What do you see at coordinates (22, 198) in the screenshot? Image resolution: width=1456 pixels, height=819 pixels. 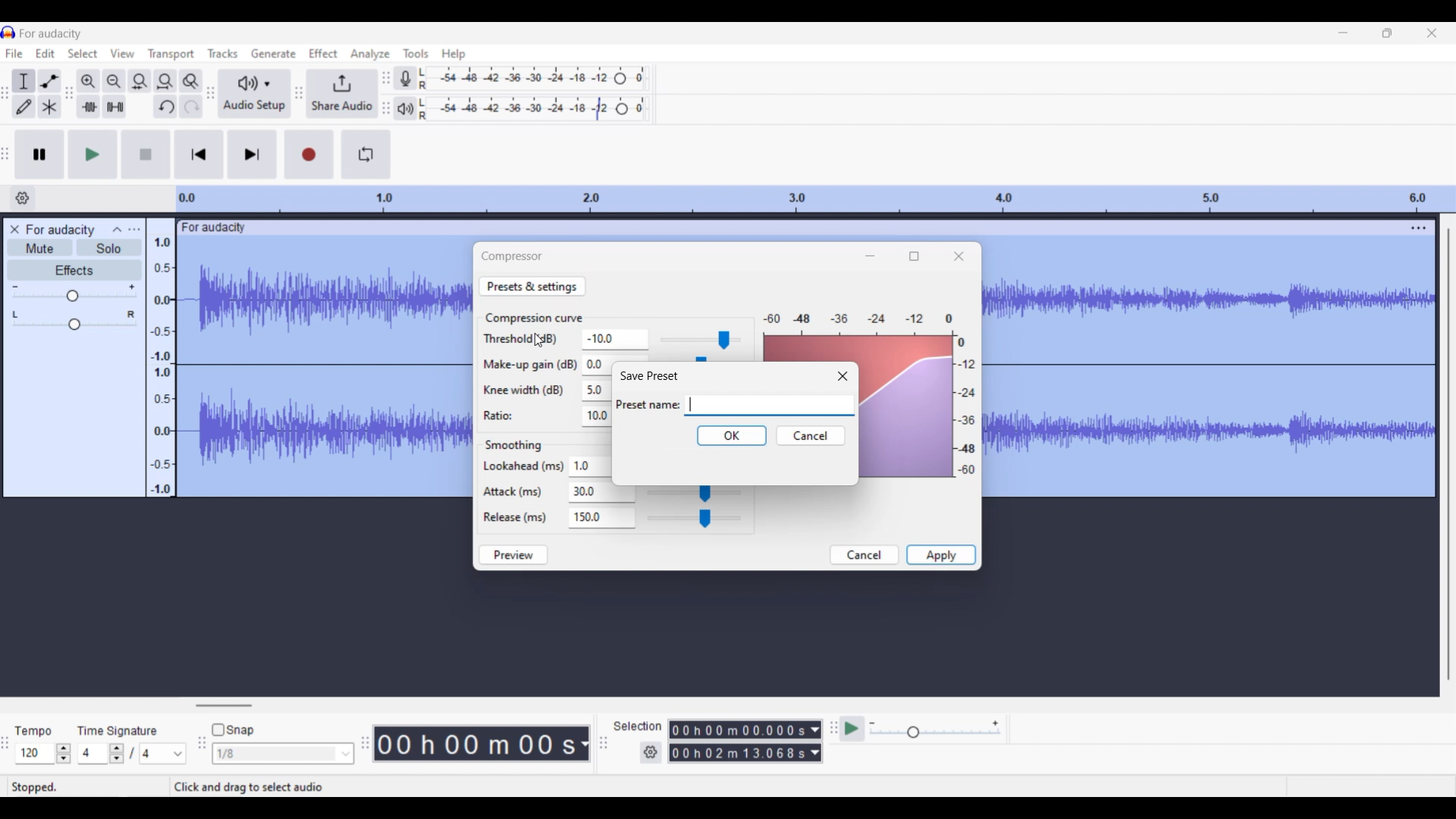 I see `Timeline options` at bounding box center [22, 198].